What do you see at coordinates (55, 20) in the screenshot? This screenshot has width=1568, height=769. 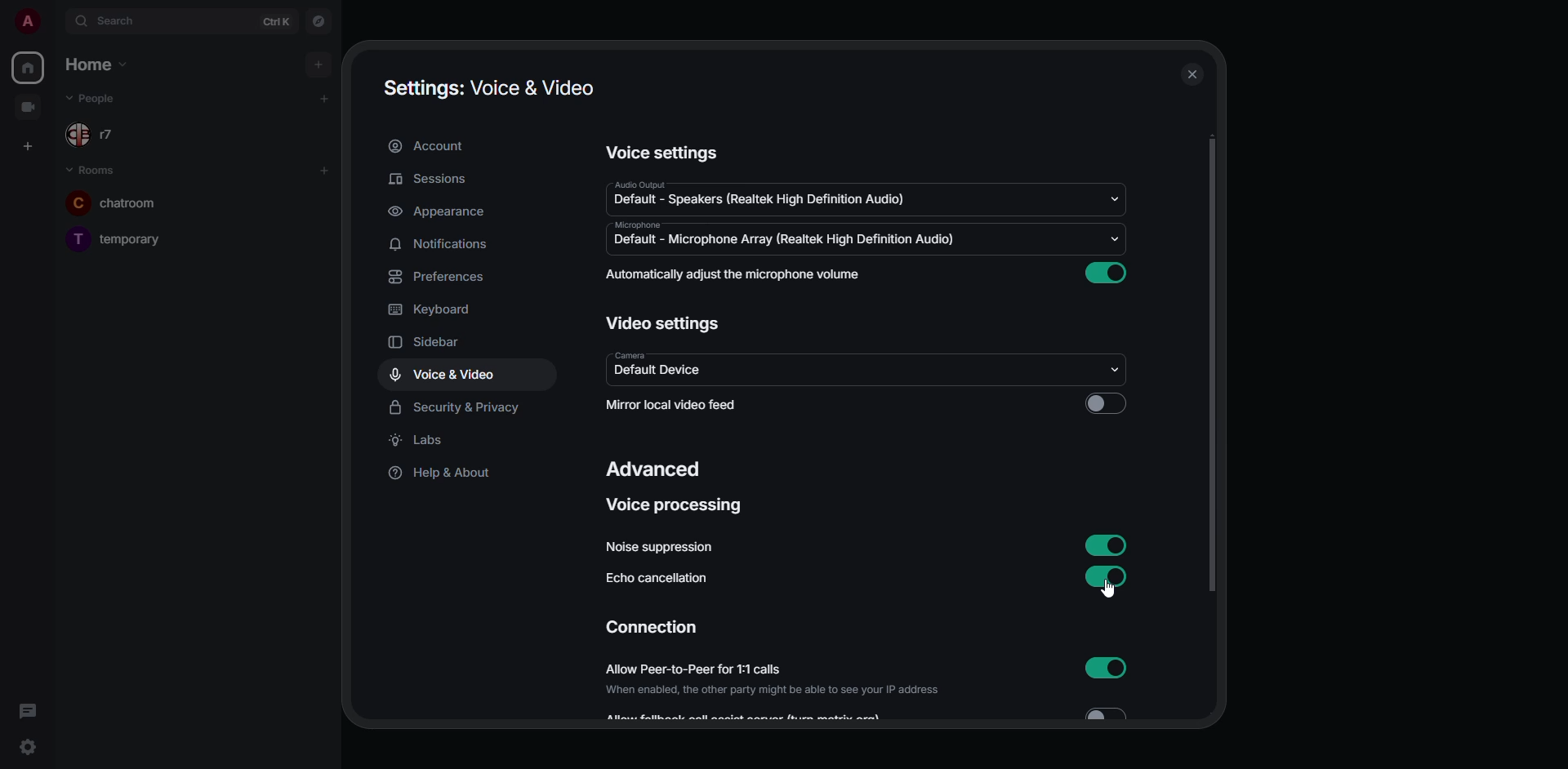 I see `expand` at bounding box center [55, 20].